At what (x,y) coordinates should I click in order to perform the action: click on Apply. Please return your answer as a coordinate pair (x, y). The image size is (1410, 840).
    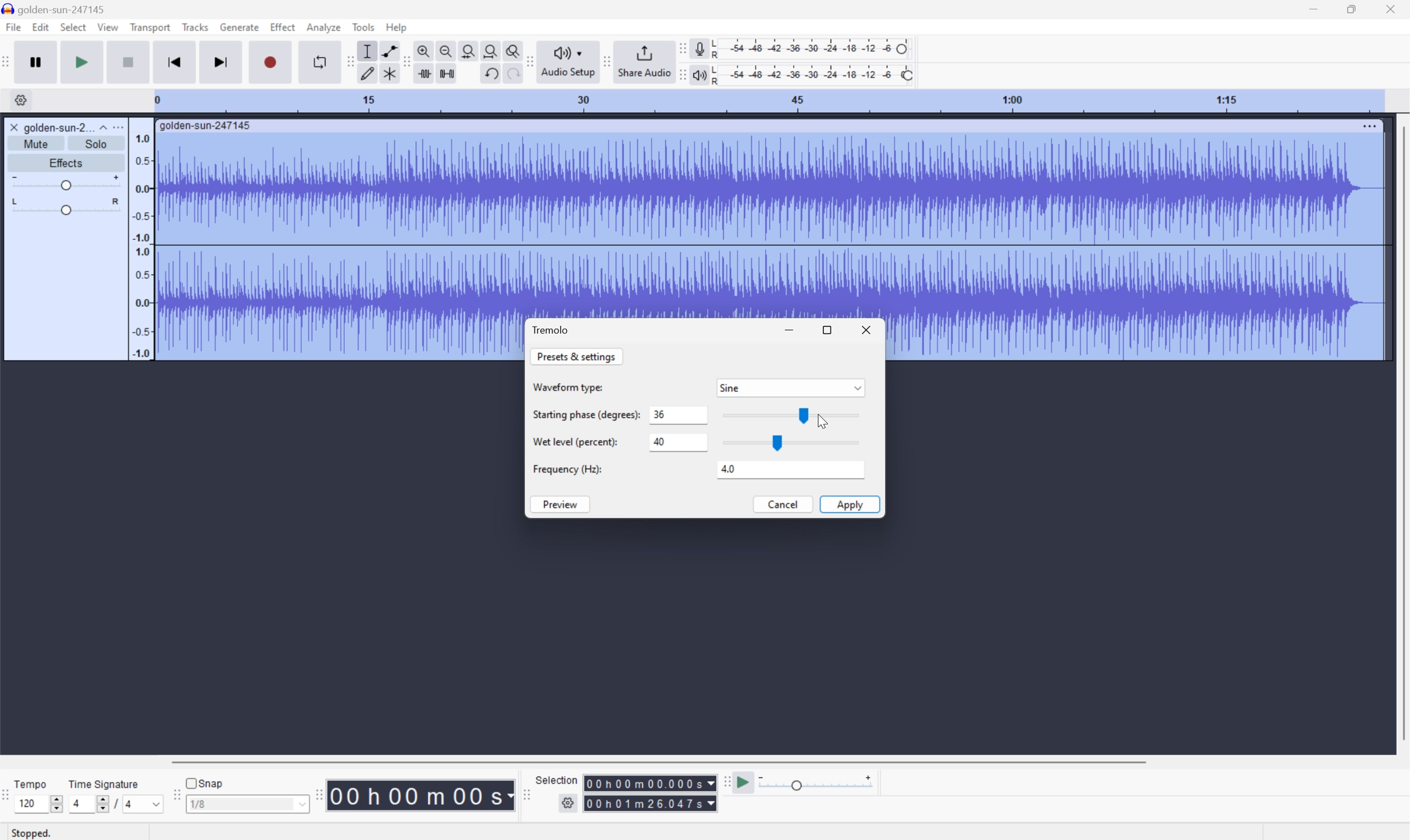
    Looking at the image, I should click on (849, 505).